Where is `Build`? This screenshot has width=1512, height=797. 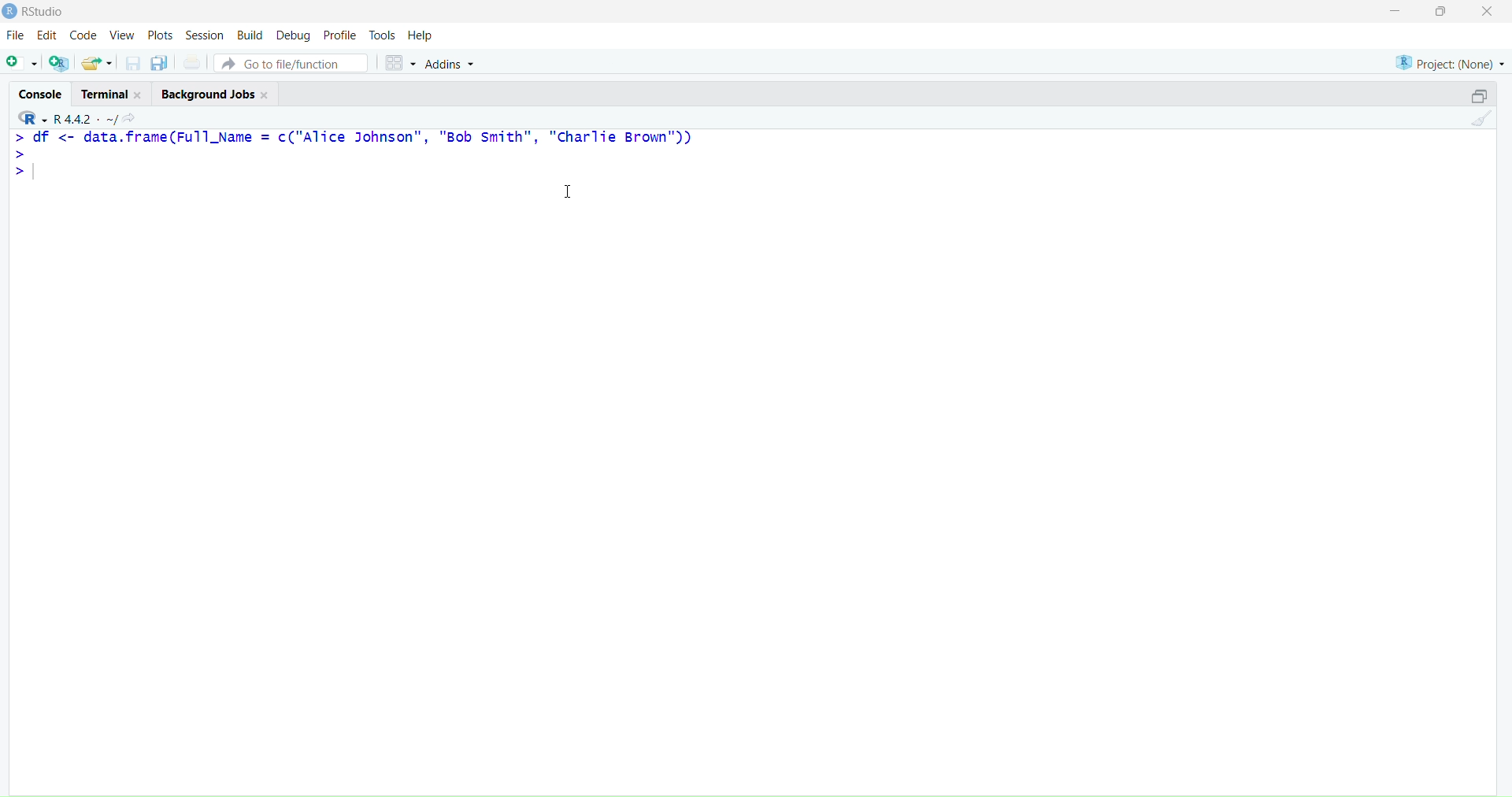
Build is located at coordinates (250, 34).